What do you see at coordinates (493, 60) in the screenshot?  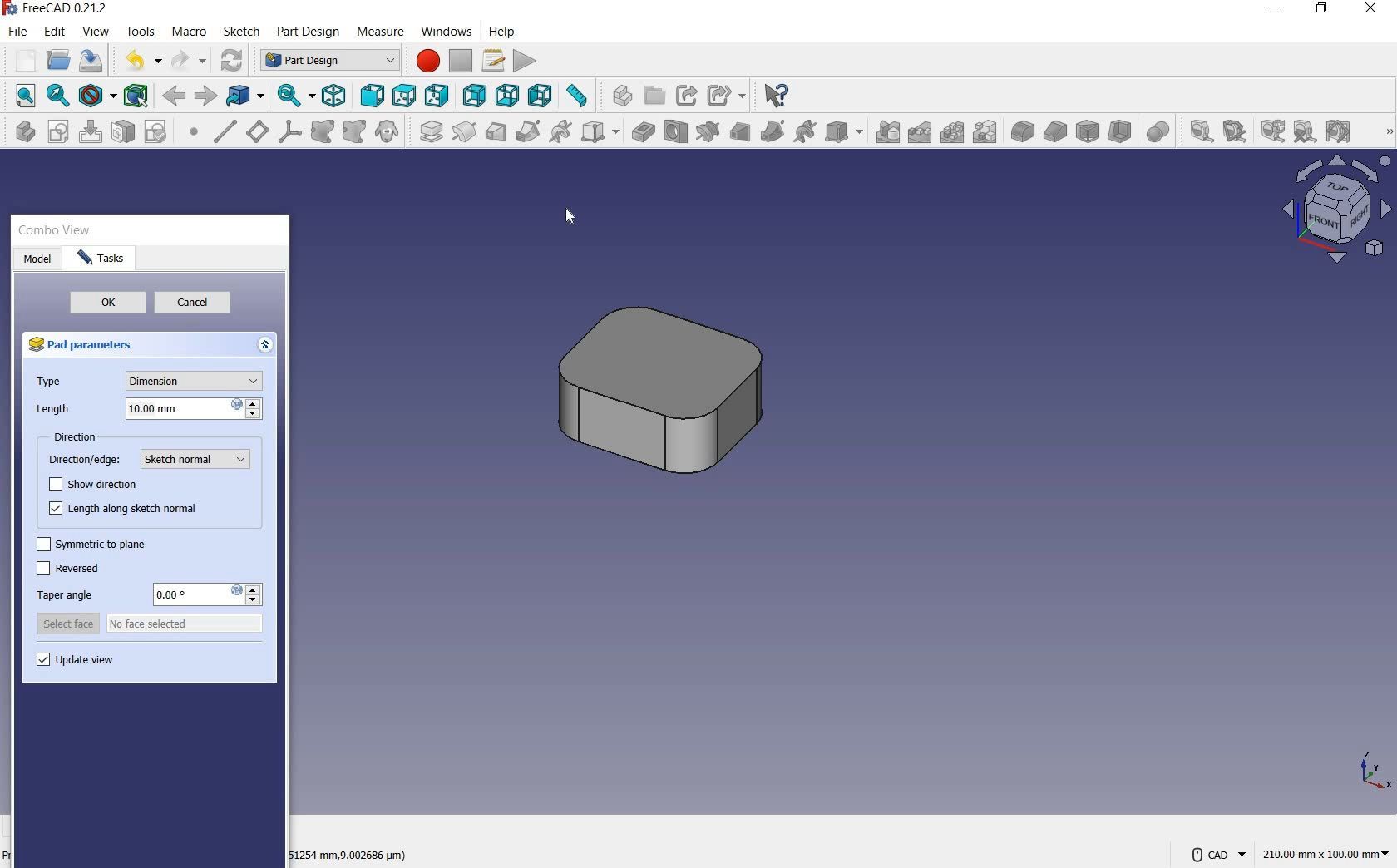 I see `macros` at bounding box center [493, 60].